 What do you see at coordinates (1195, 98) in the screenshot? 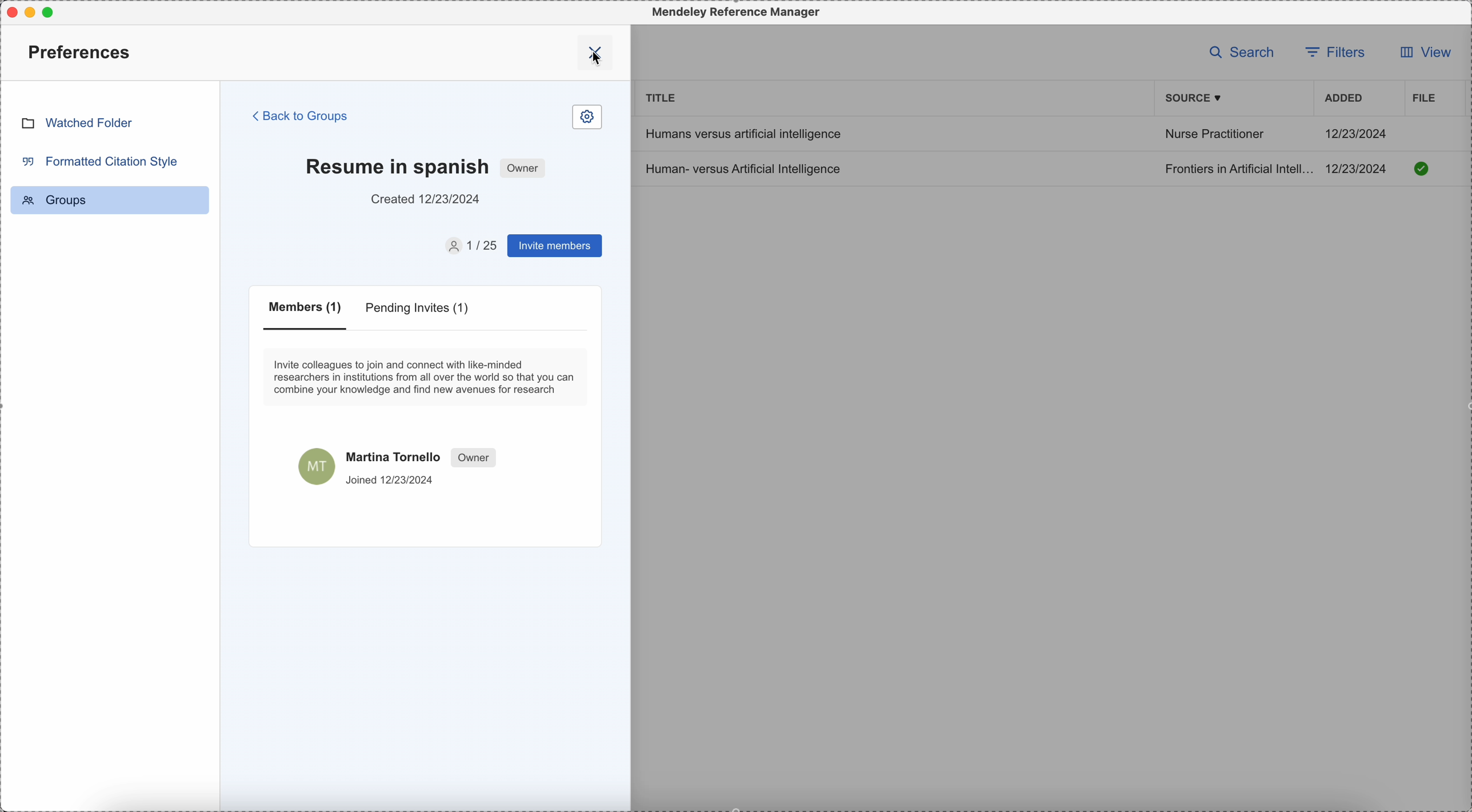
I see `source` at bounding box center [1195, 98].